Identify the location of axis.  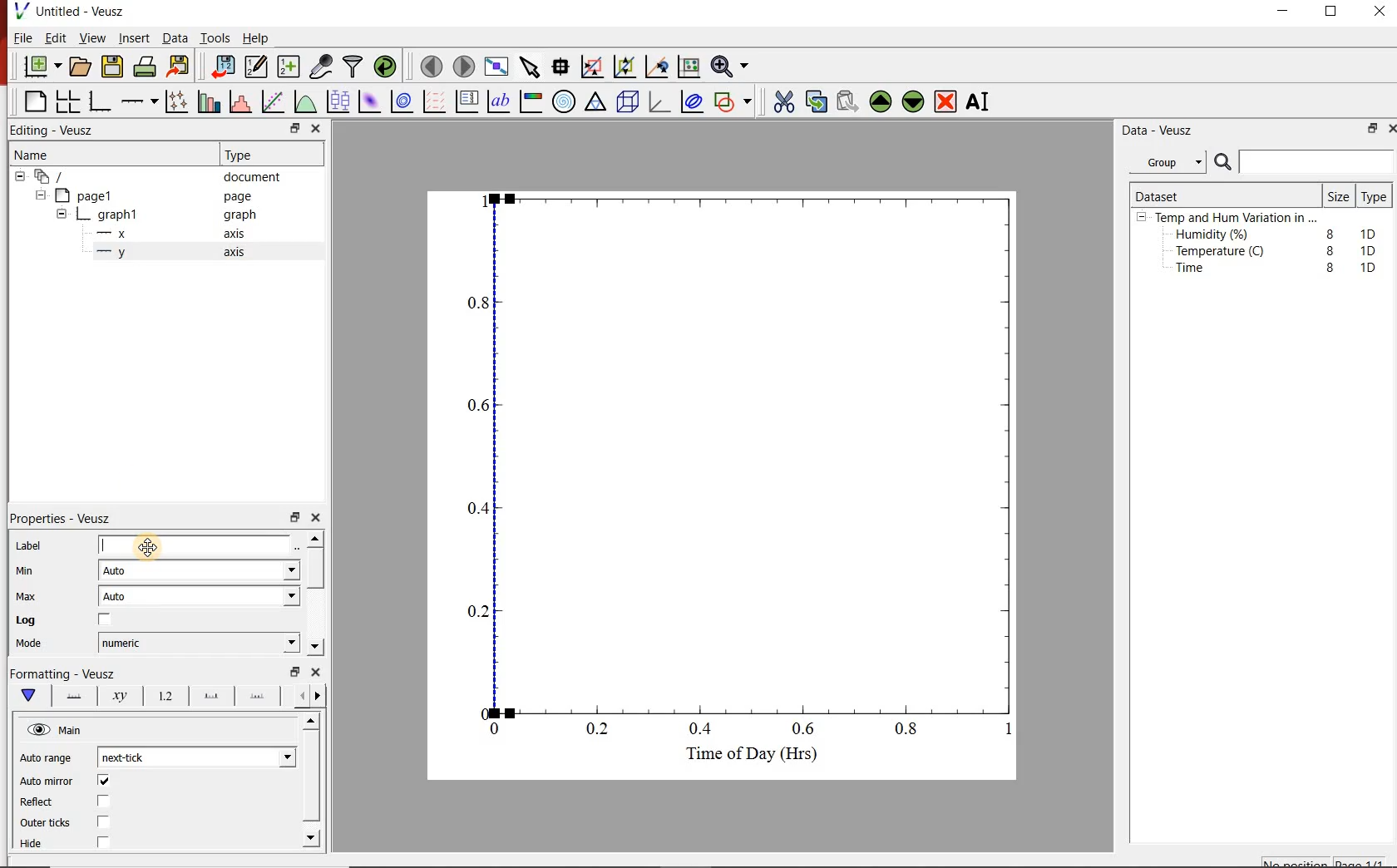
(238, 254).